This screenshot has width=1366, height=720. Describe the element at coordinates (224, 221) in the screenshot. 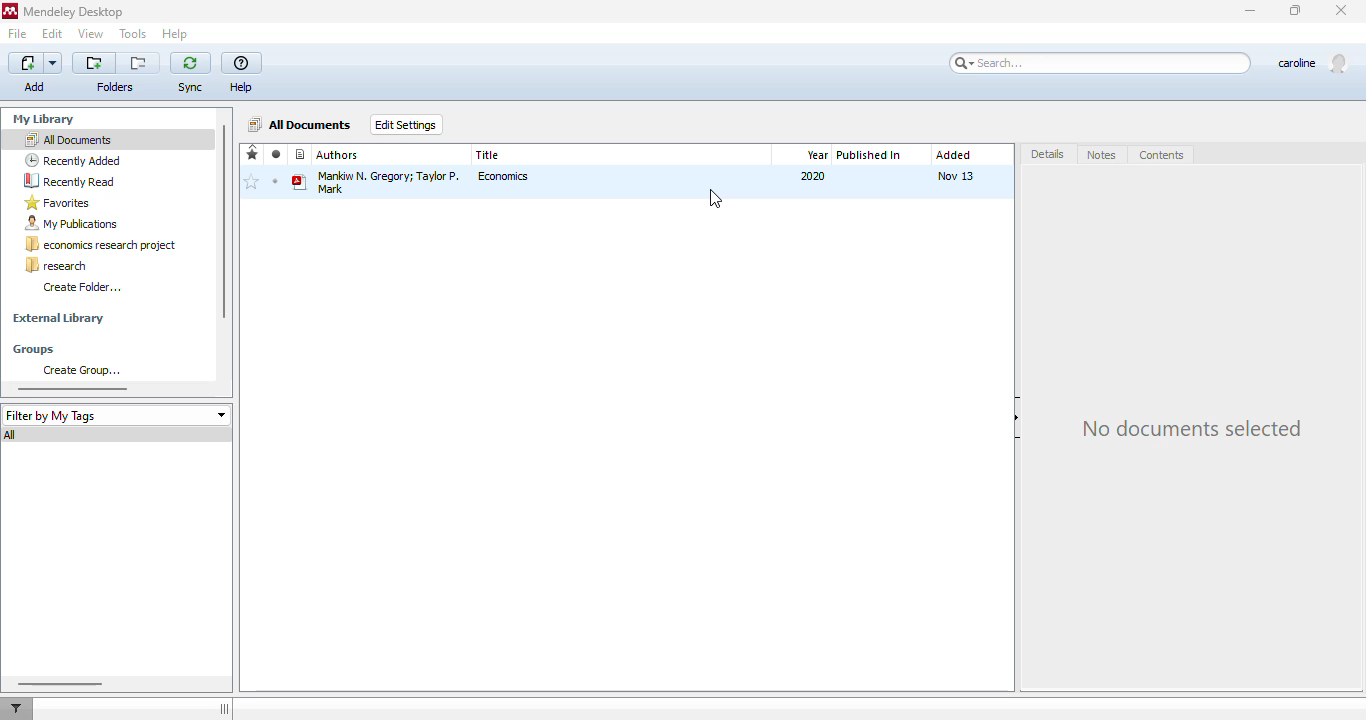

I see `vertical scroll bar` at that location.